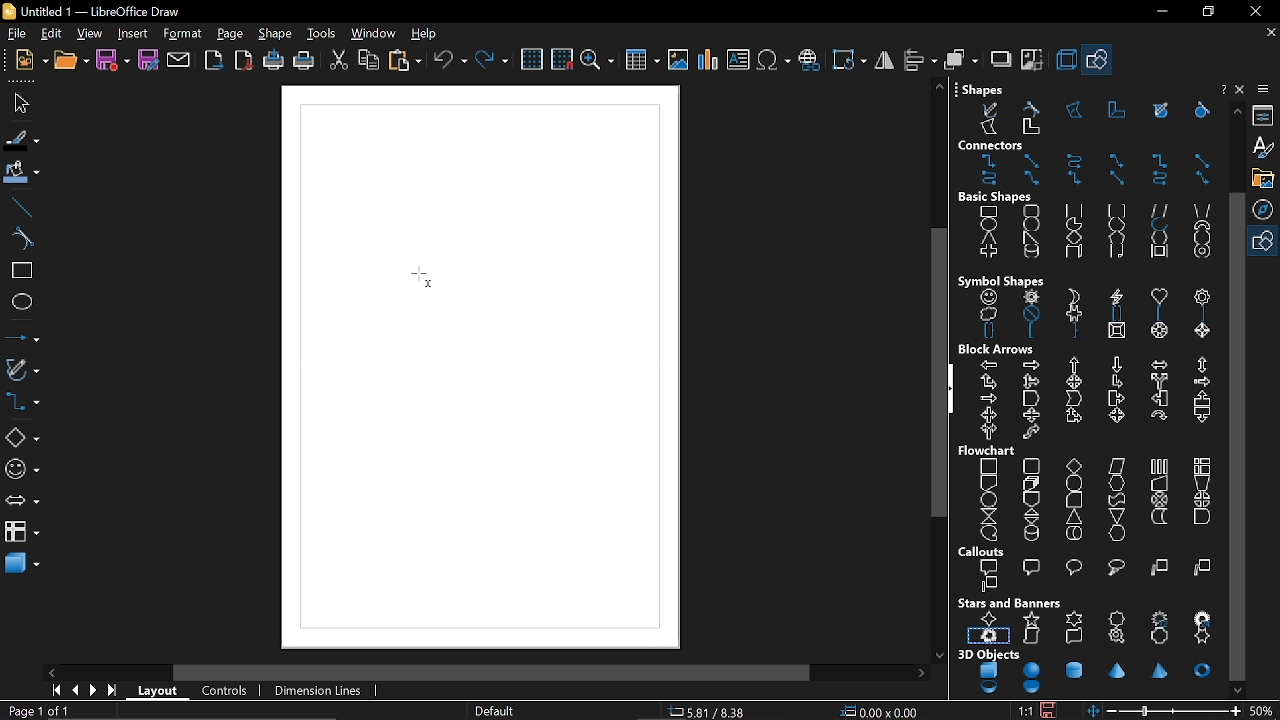 This screenshot has width=1280, height=720. I want to click on go to first page, so click(58, 692).